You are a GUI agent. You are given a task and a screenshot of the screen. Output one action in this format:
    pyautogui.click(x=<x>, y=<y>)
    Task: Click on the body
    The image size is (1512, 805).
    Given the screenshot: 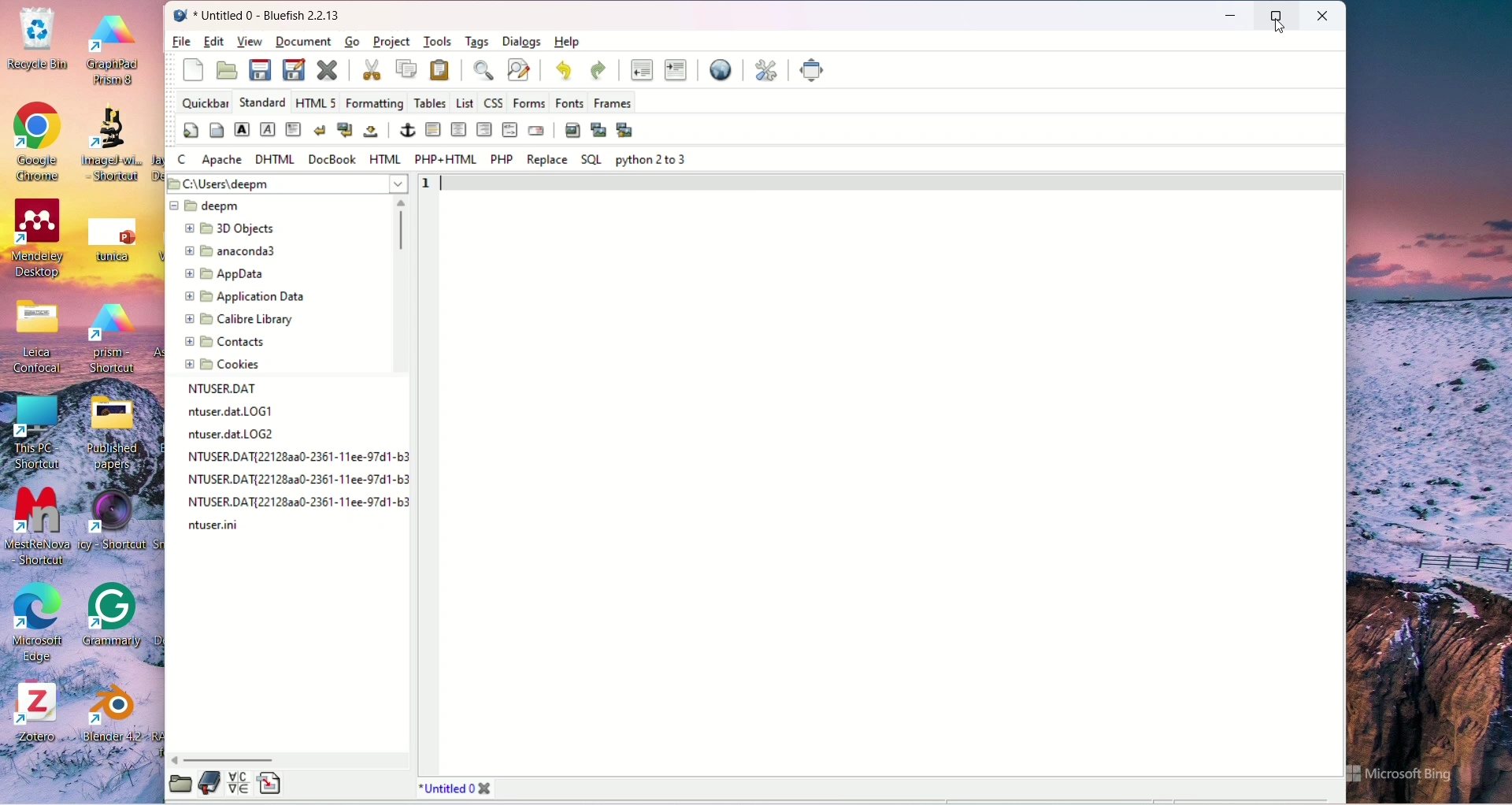 What is the action you would take?
    pyautogui.click(x=217, y=131)
    